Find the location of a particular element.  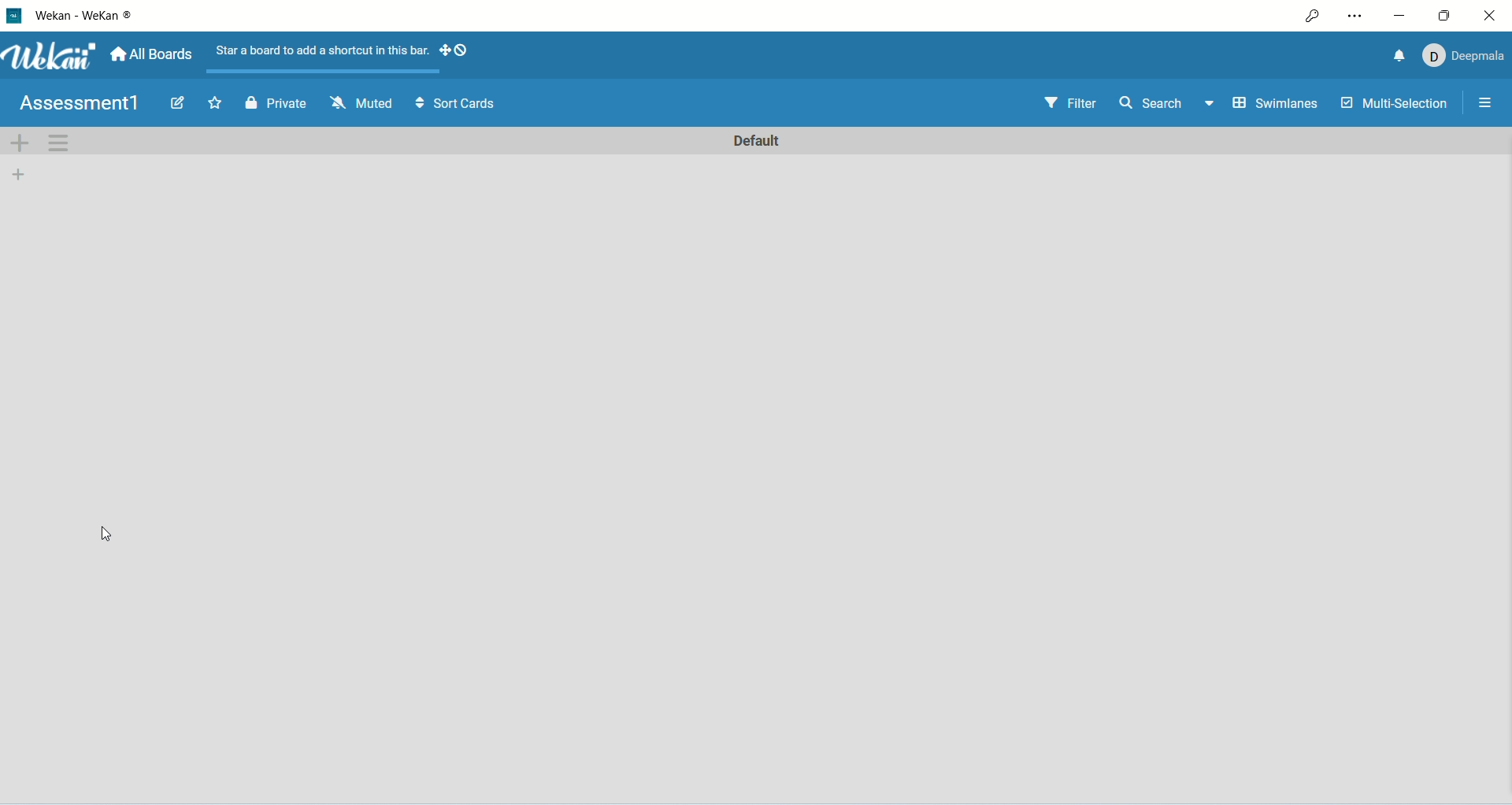

edit is located at coordinates (174, 102).